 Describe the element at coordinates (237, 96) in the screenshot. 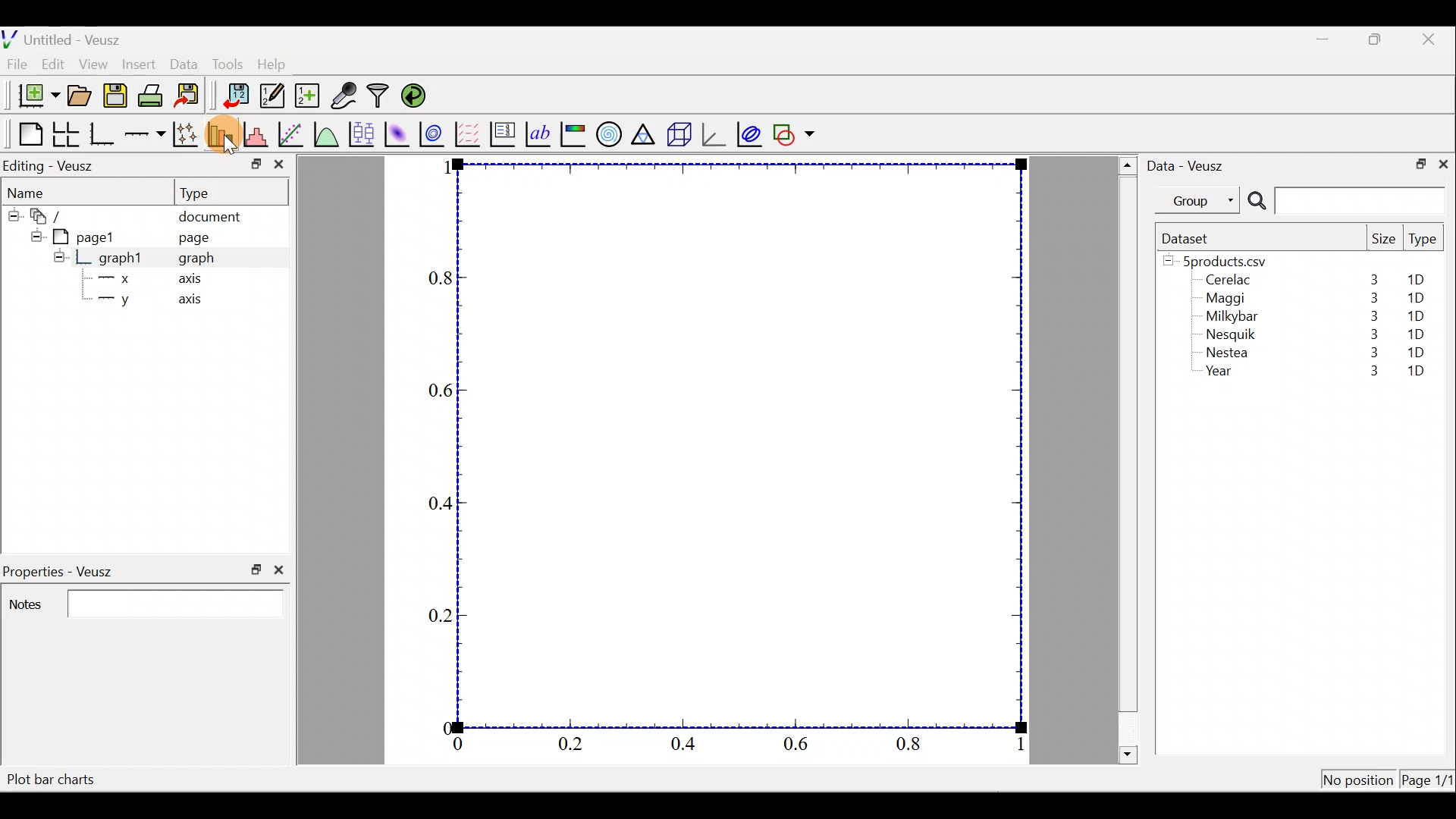

I see `Import data into veusz` at that location.